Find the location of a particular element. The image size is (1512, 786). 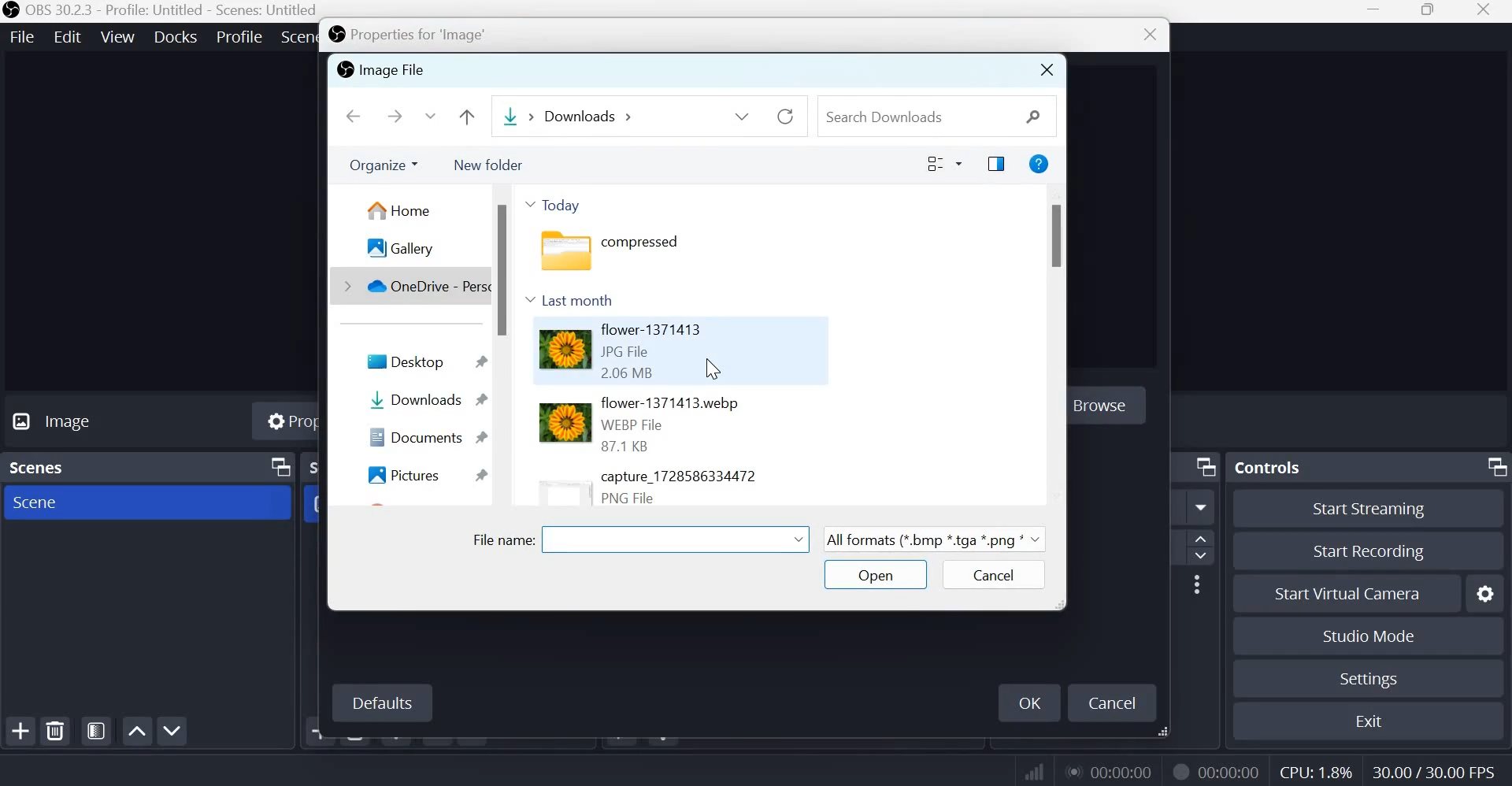

close is located at coordinates (1488, 13).